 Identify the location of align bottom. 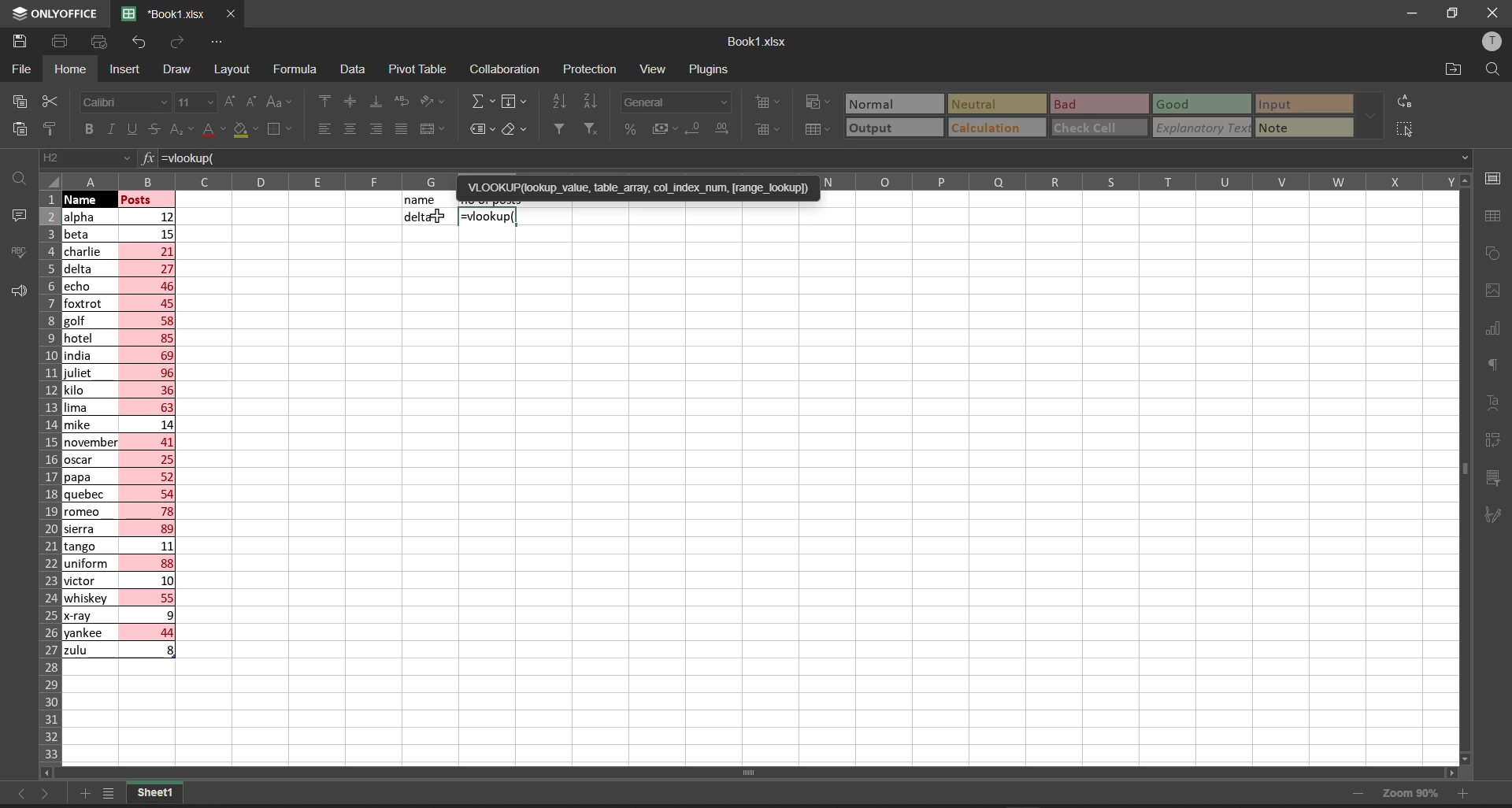
(376, 101).